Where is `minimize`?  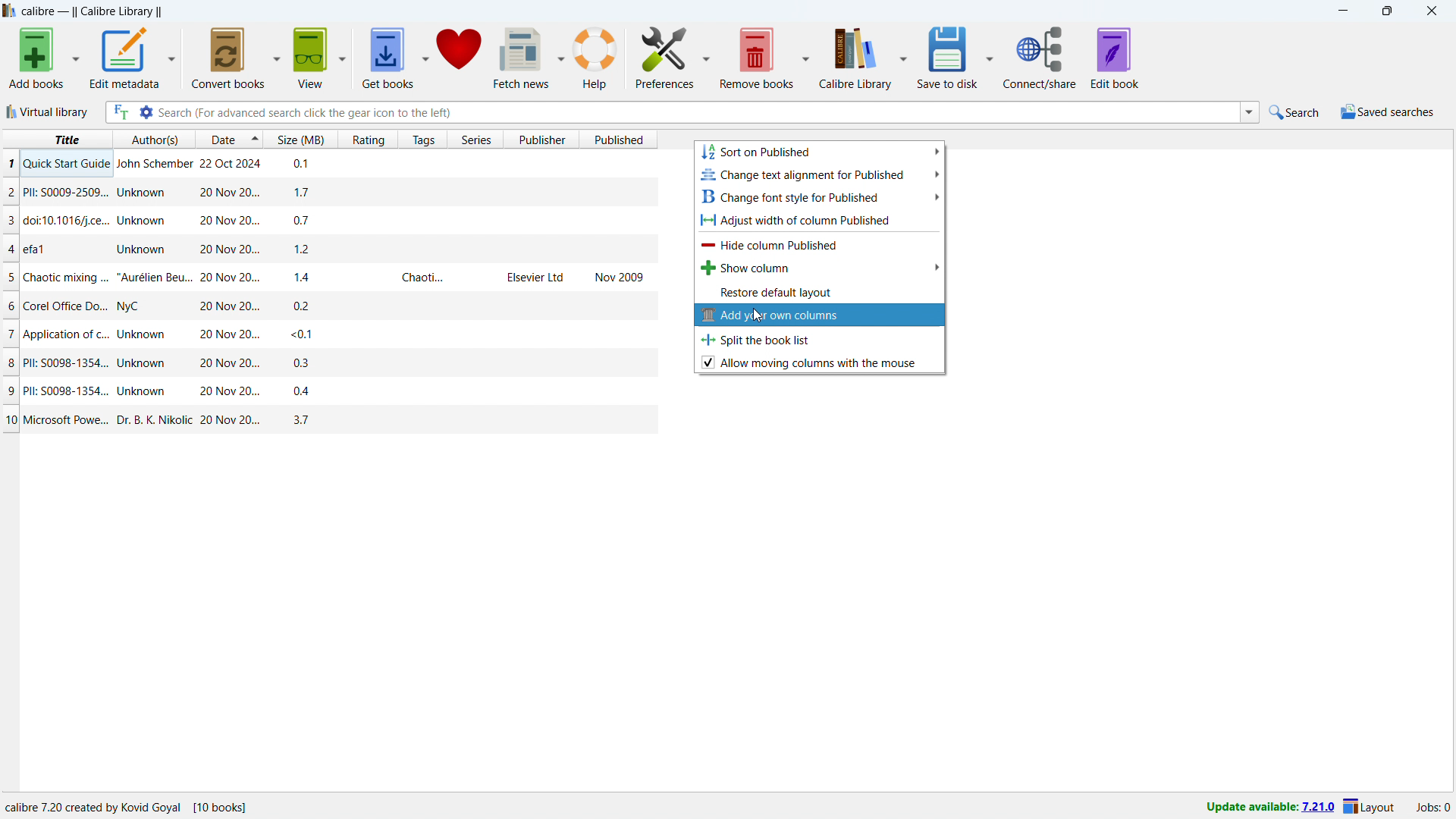
minimize is located at coordinates (1341, 11).